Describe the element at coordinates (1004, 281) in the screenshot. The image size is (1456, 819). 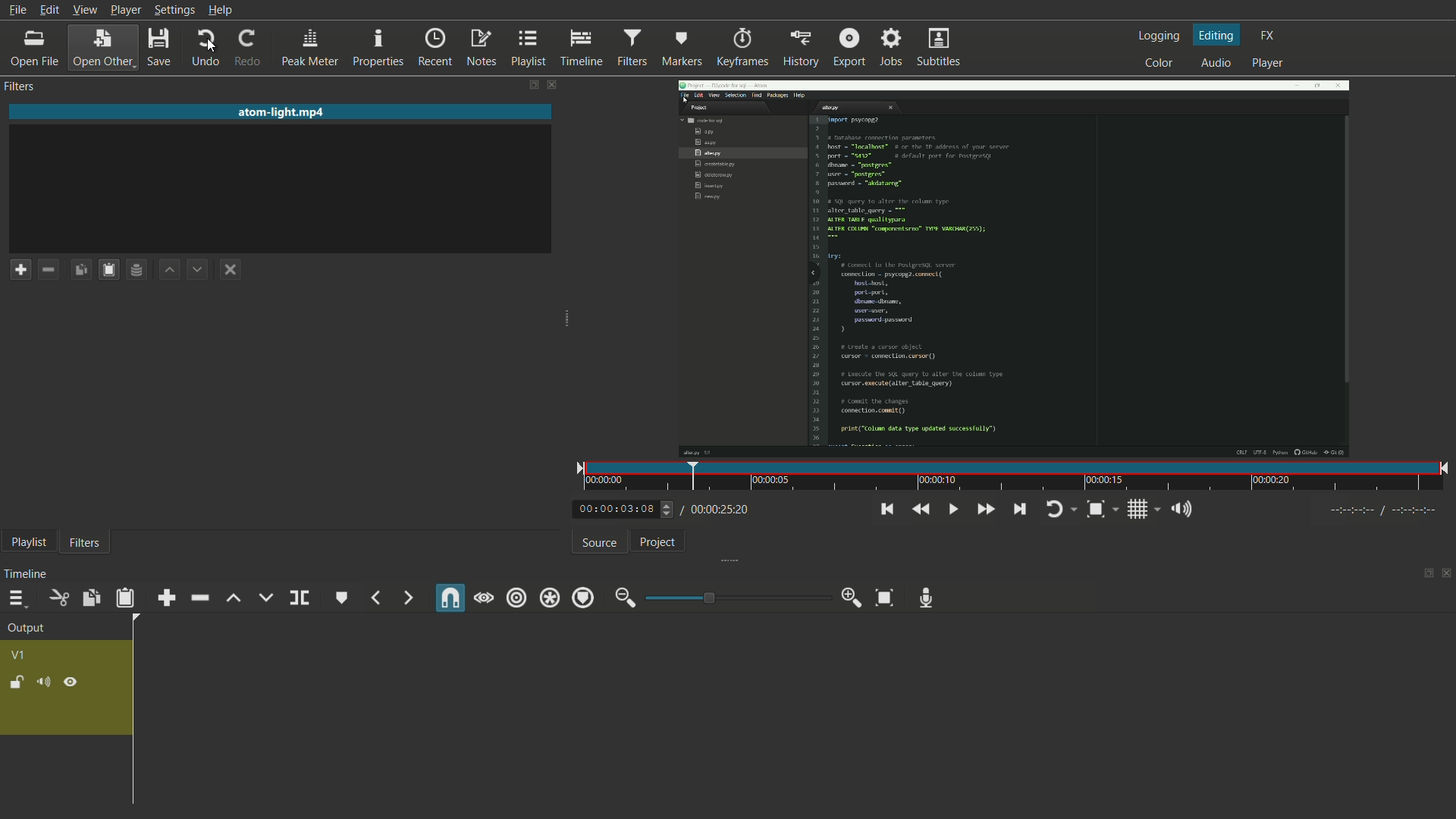
I see `imported video` at that location.